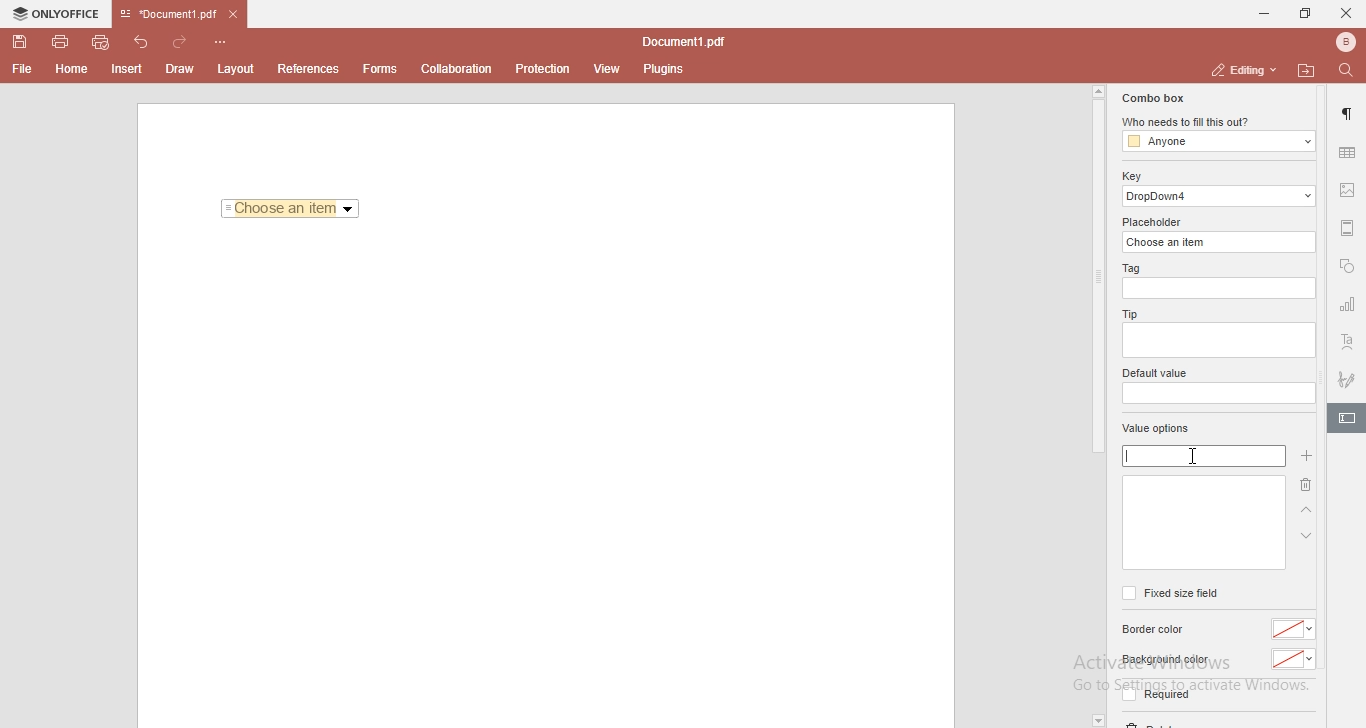 This screenshot has height=728, width=1366. I want to click on Draw, so click(184, 68).